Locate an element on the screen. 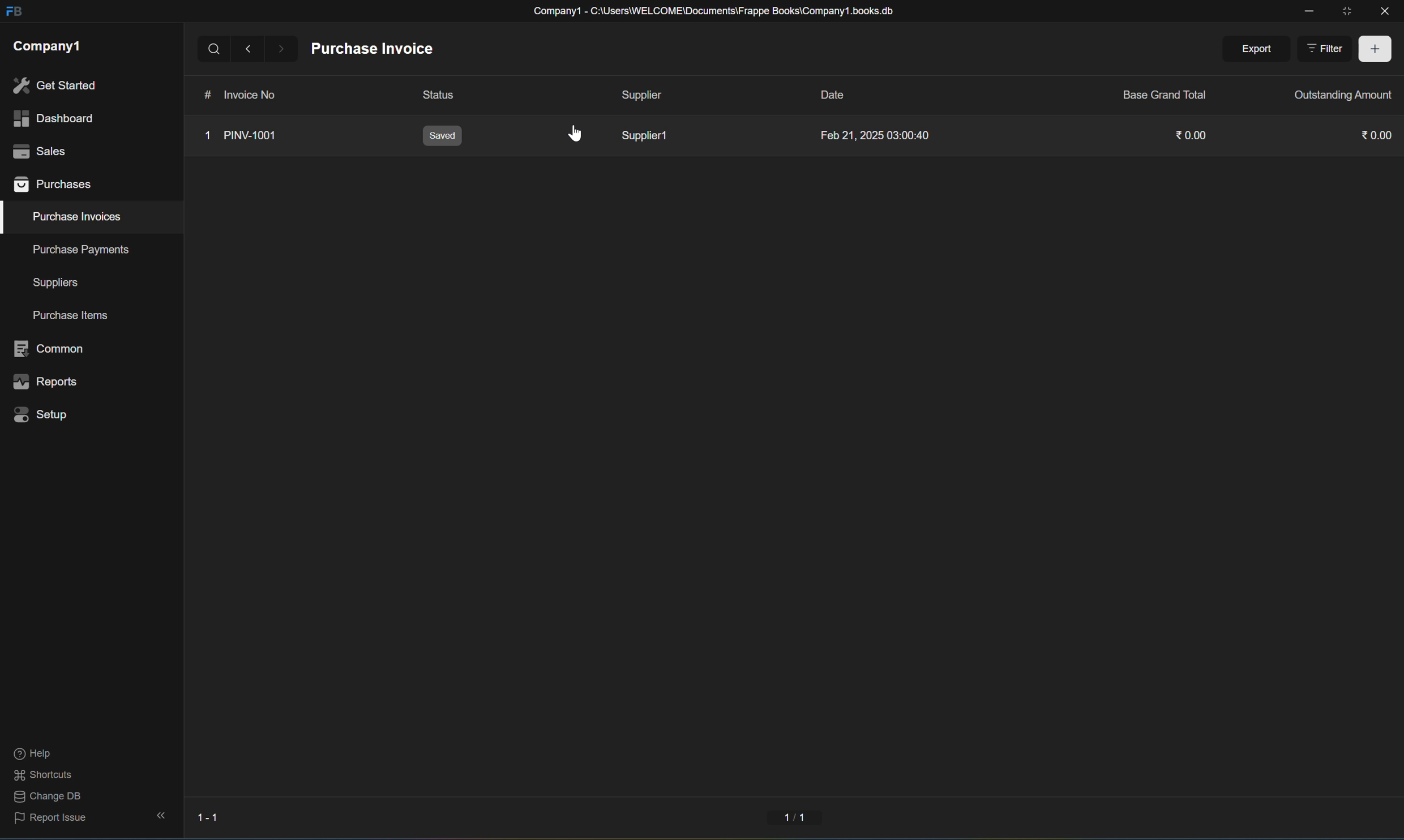 The height and width of the screenshot is (840, 1404). ₹0.00 is located at coordinates (1380, 136).